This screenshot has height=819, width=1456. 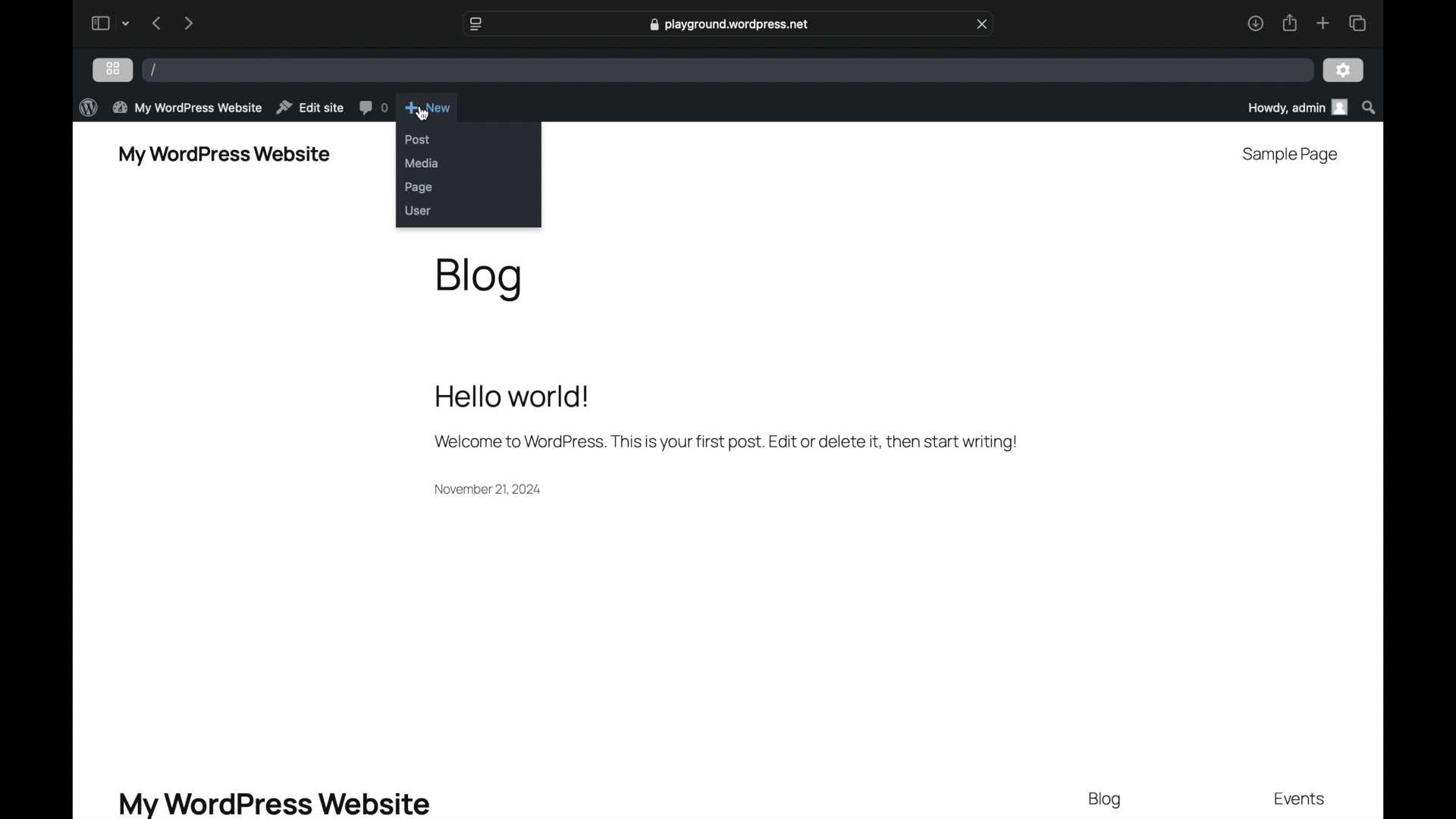 What do you see at coordinates (1300, 800) in the screenshot?
I see `events` at bounding box center [1300, 800].